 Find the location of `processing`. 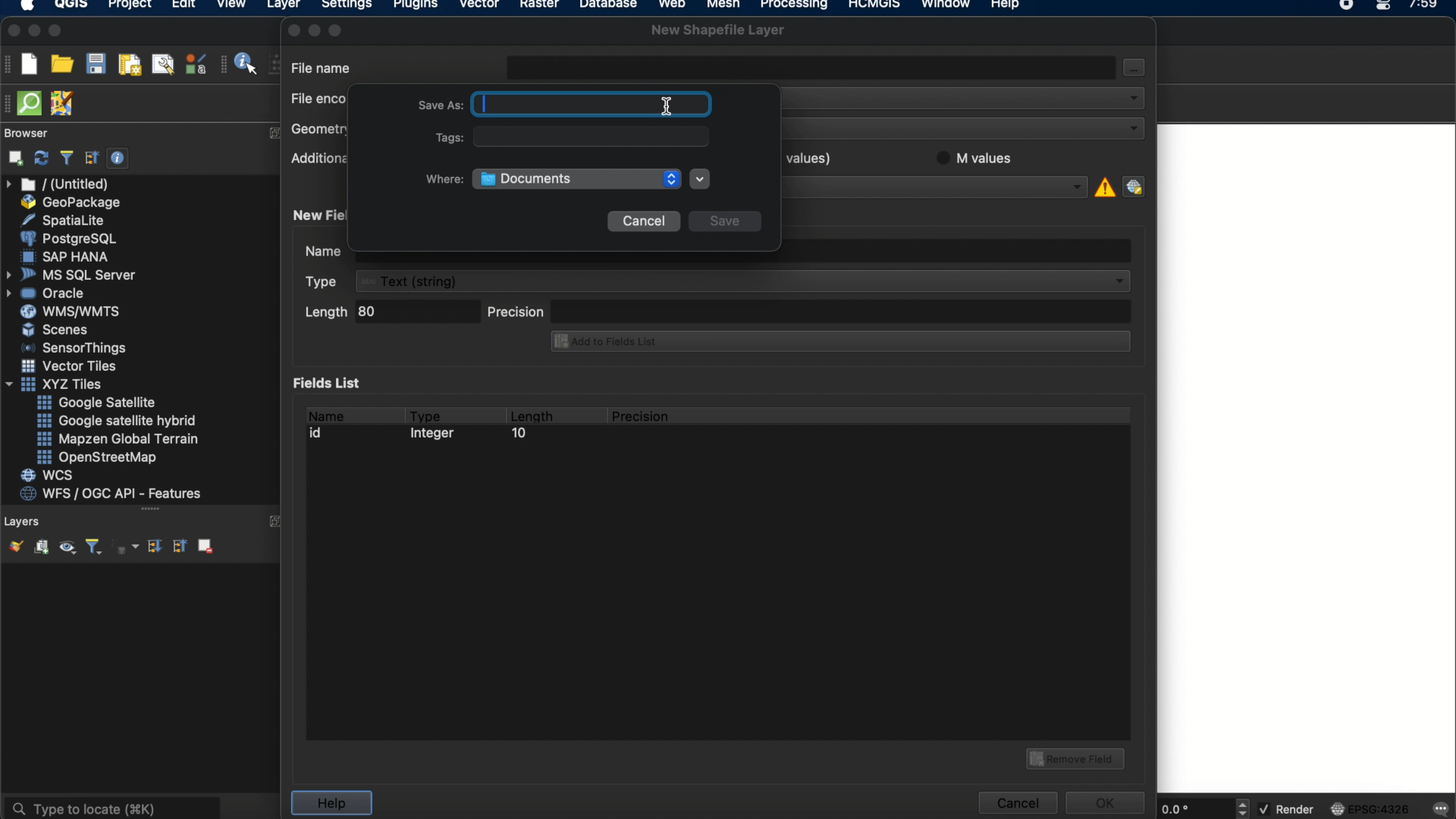

processing is located at coordinates (798, 6).